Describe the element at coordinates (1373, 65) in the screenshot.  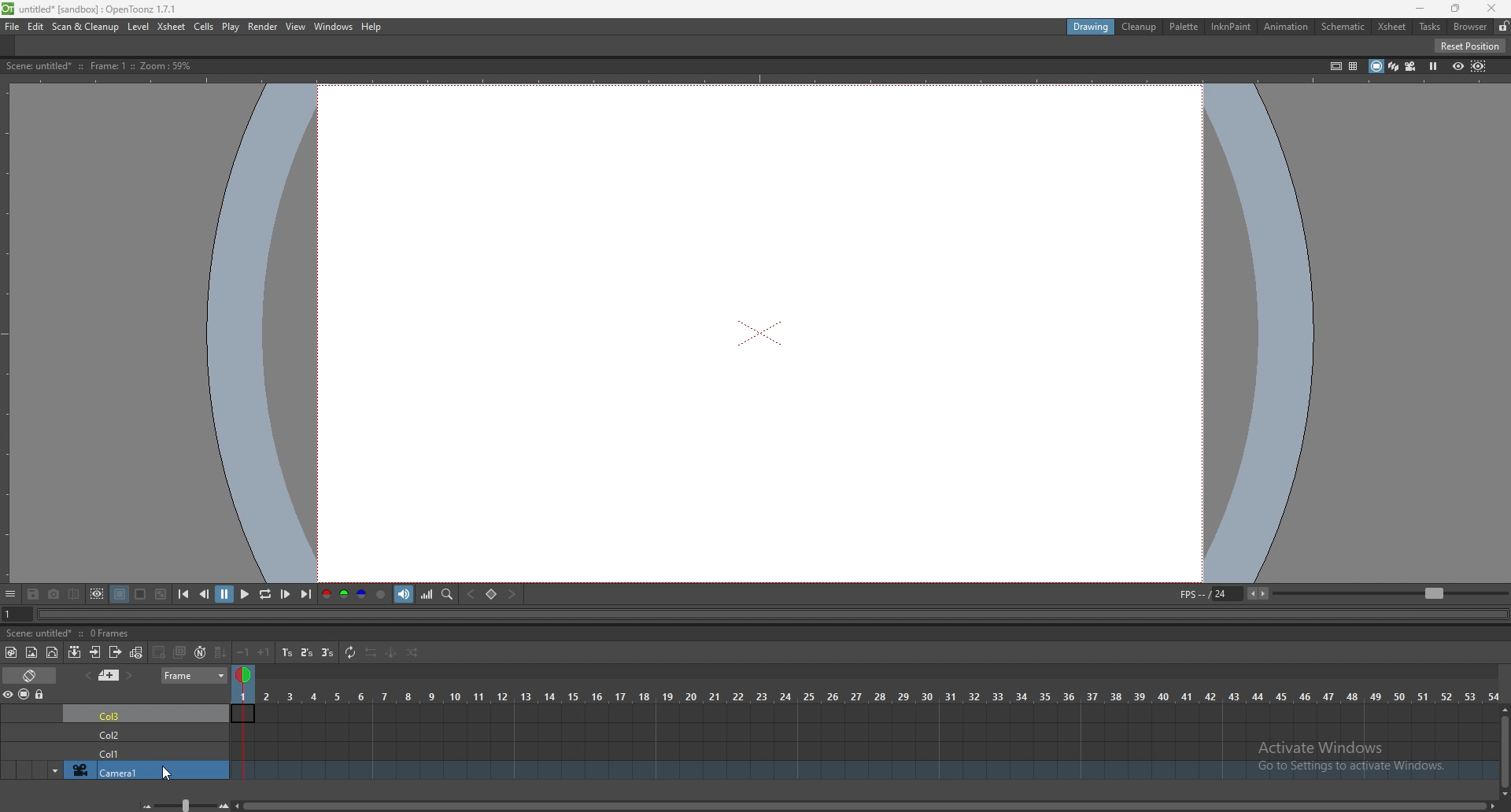
I see `camera stand view` at that location.